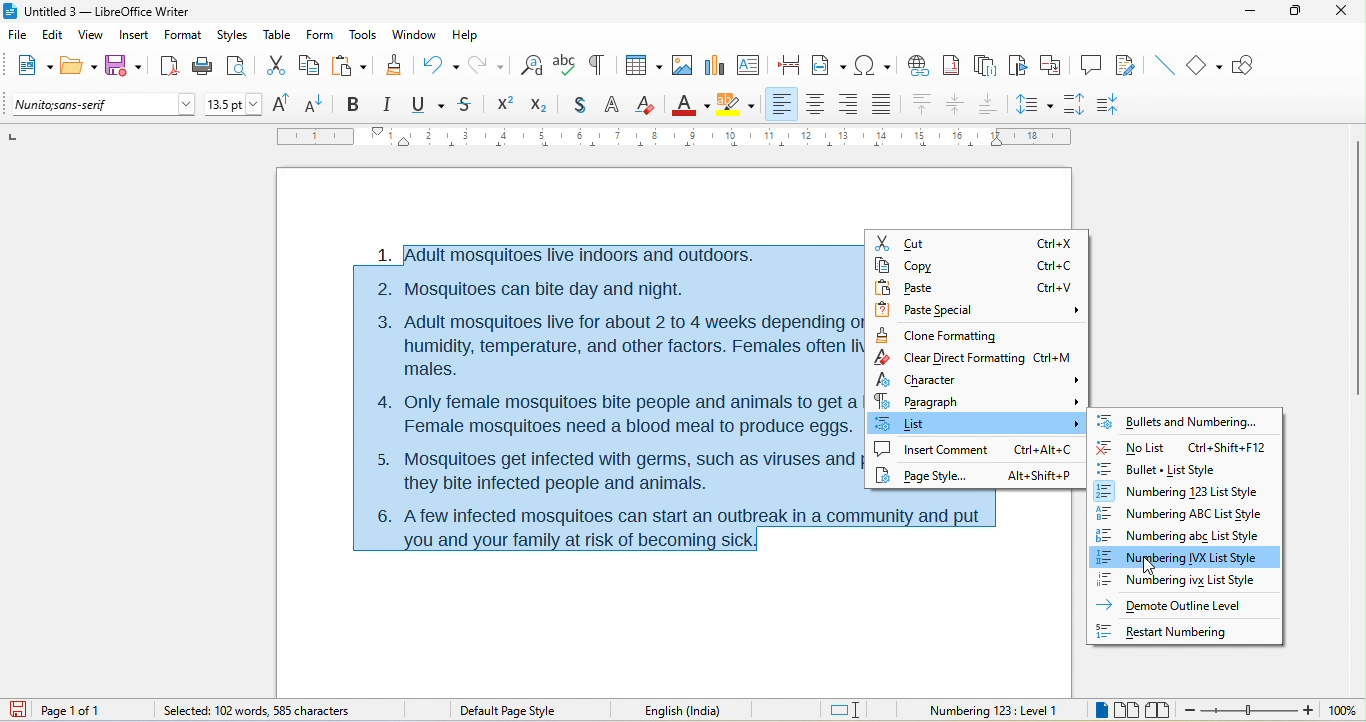  I want to click on italic, so click(391, 105).